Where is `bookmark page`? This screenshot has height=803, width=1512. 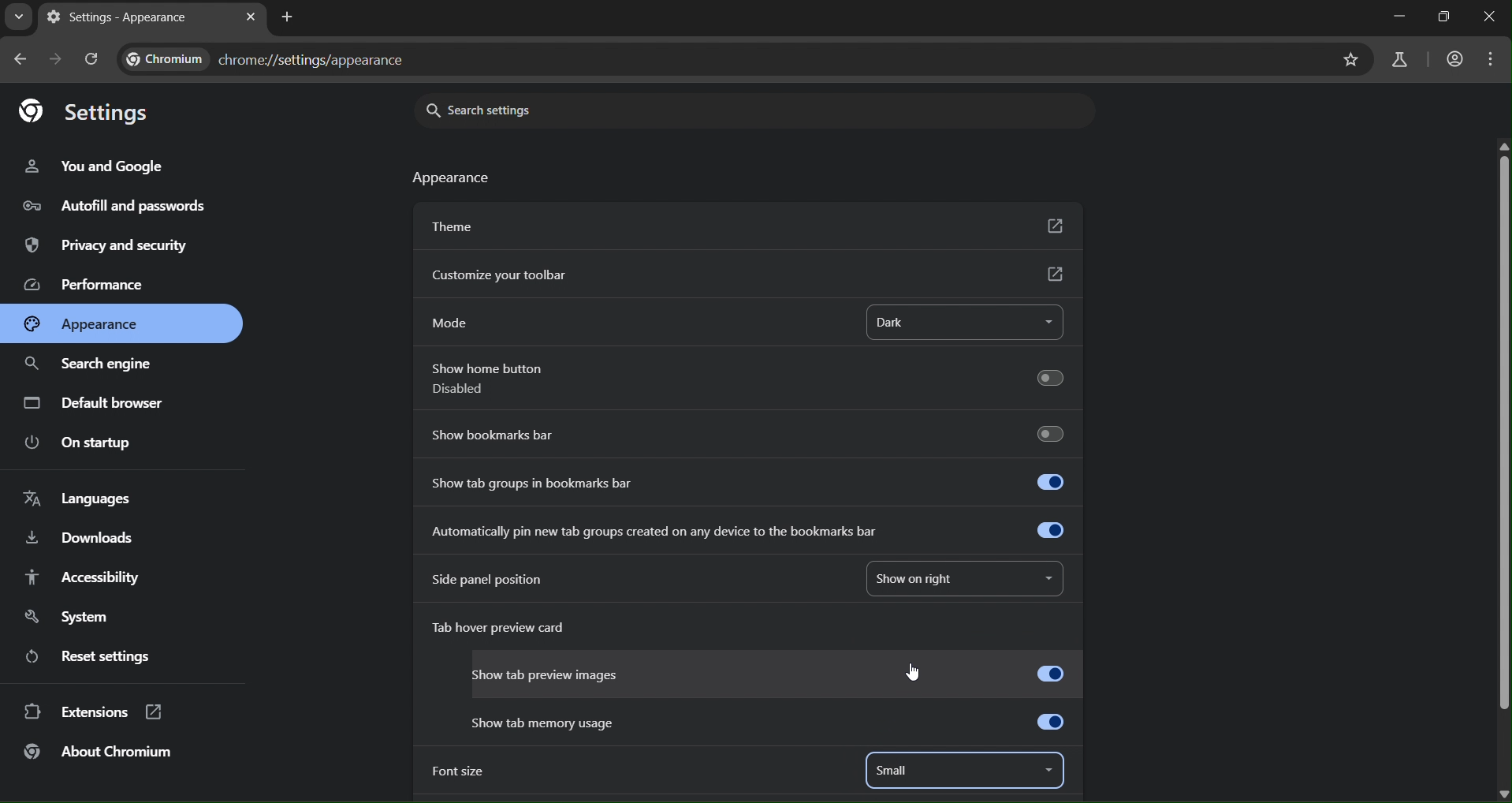
bookmark page is located at coordinates (1354, 59).